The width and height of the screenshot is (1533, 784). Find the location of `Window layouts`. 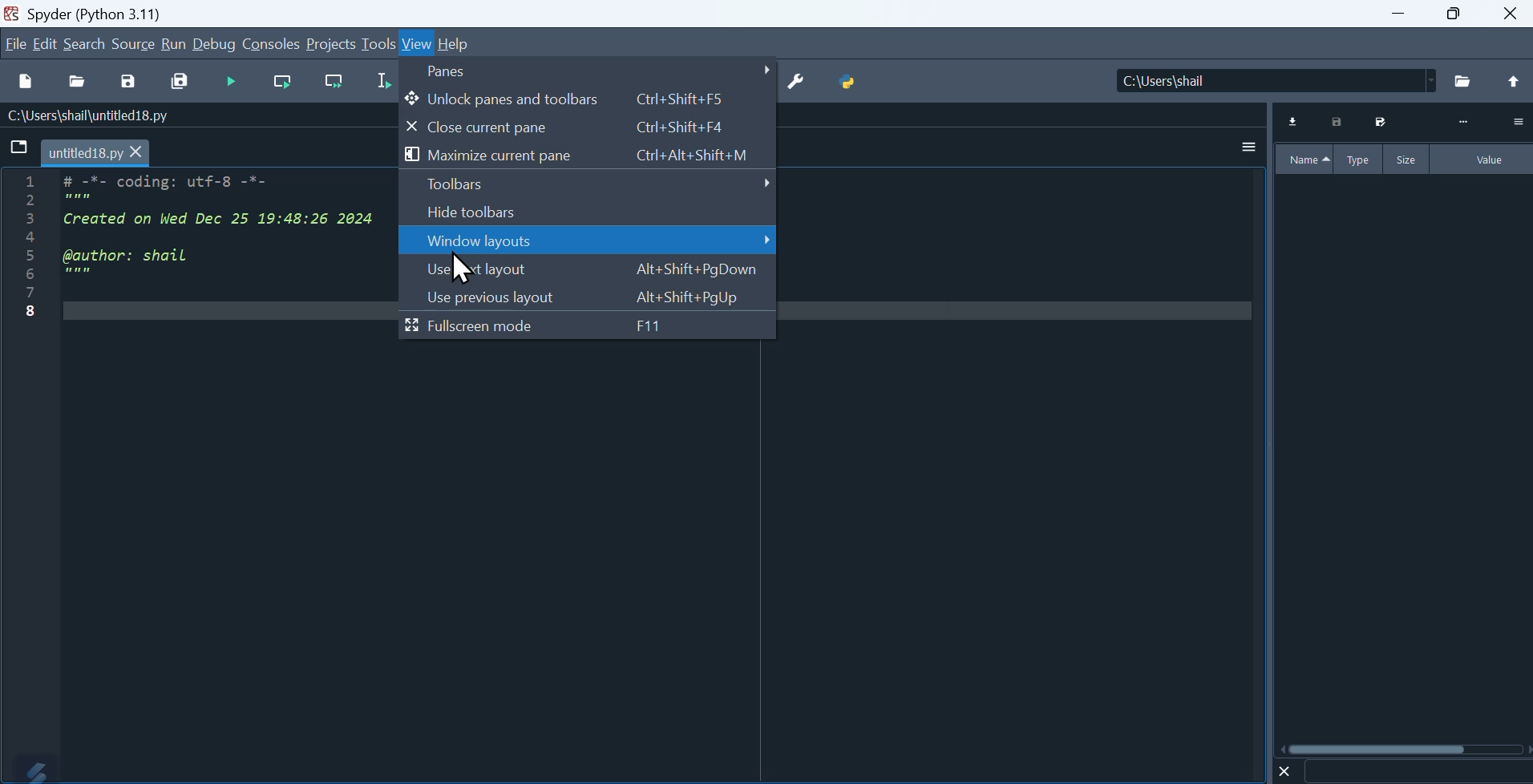

Window layouts is located at coordinates (589, 241).